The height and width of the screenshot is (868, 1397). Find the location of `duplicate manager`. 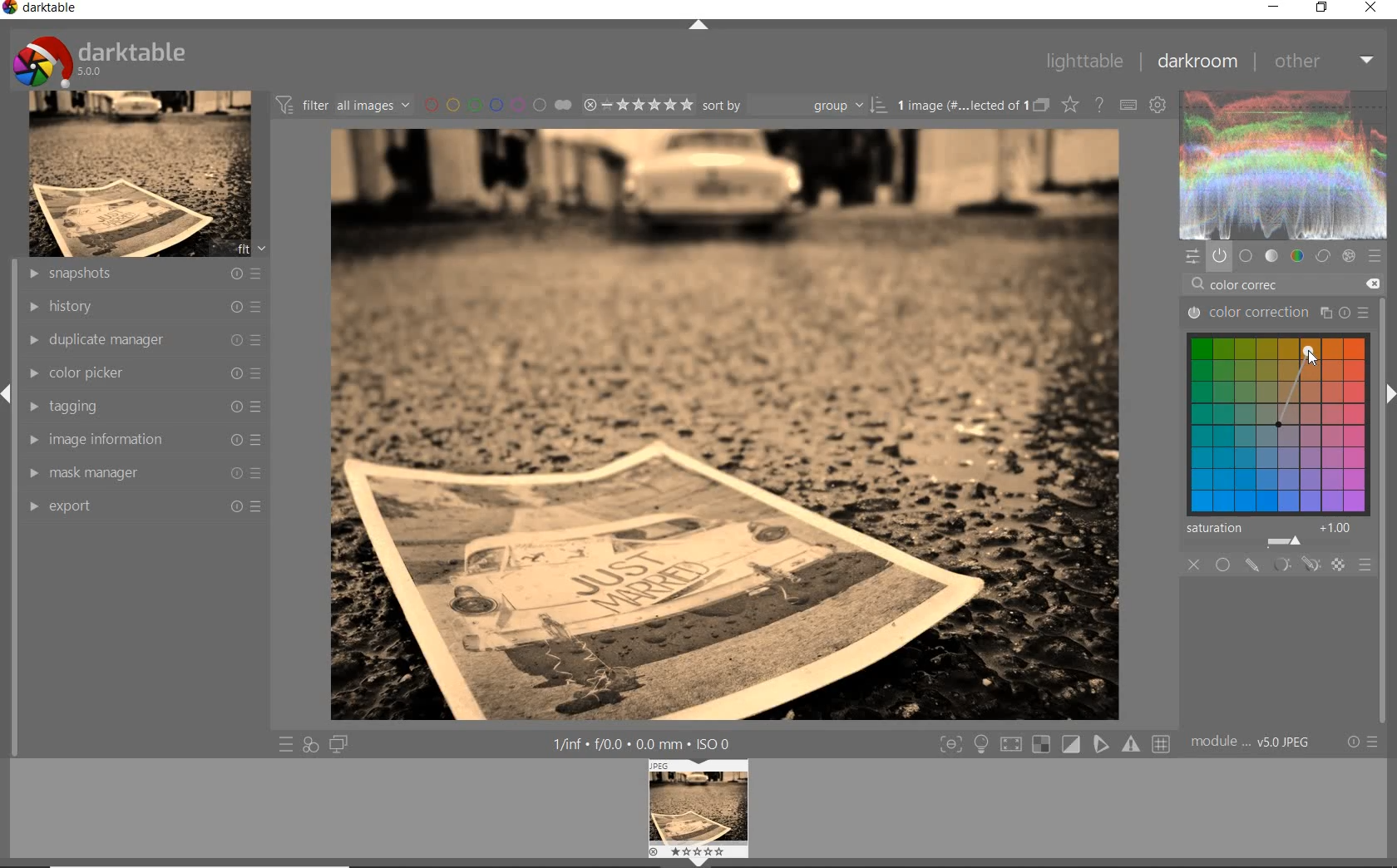

duplicate manager is located at coordinates (142, 341).